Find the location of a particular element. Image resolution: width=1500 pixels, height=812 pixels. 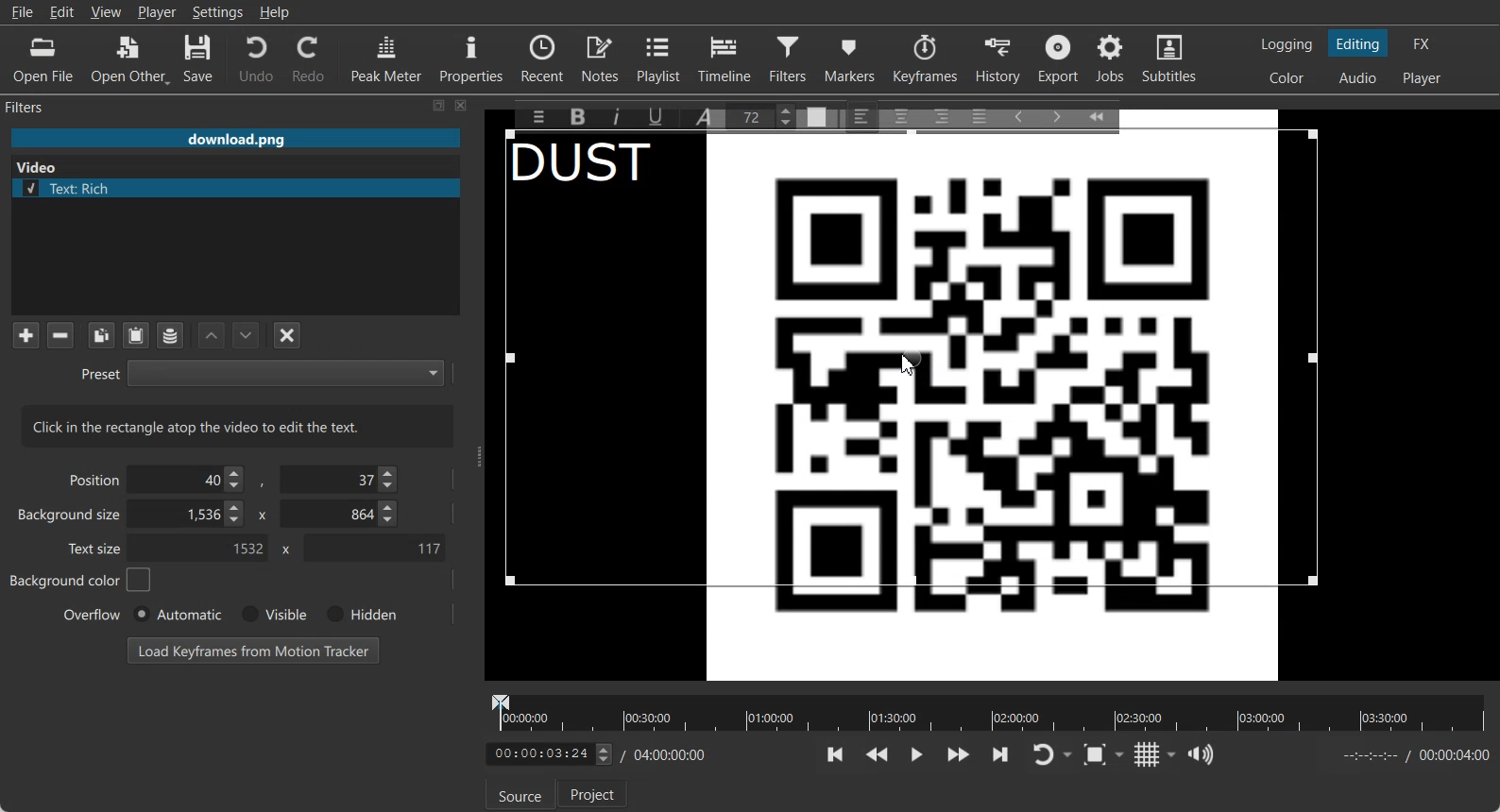

Overflow is located at coordinates (93, 614).